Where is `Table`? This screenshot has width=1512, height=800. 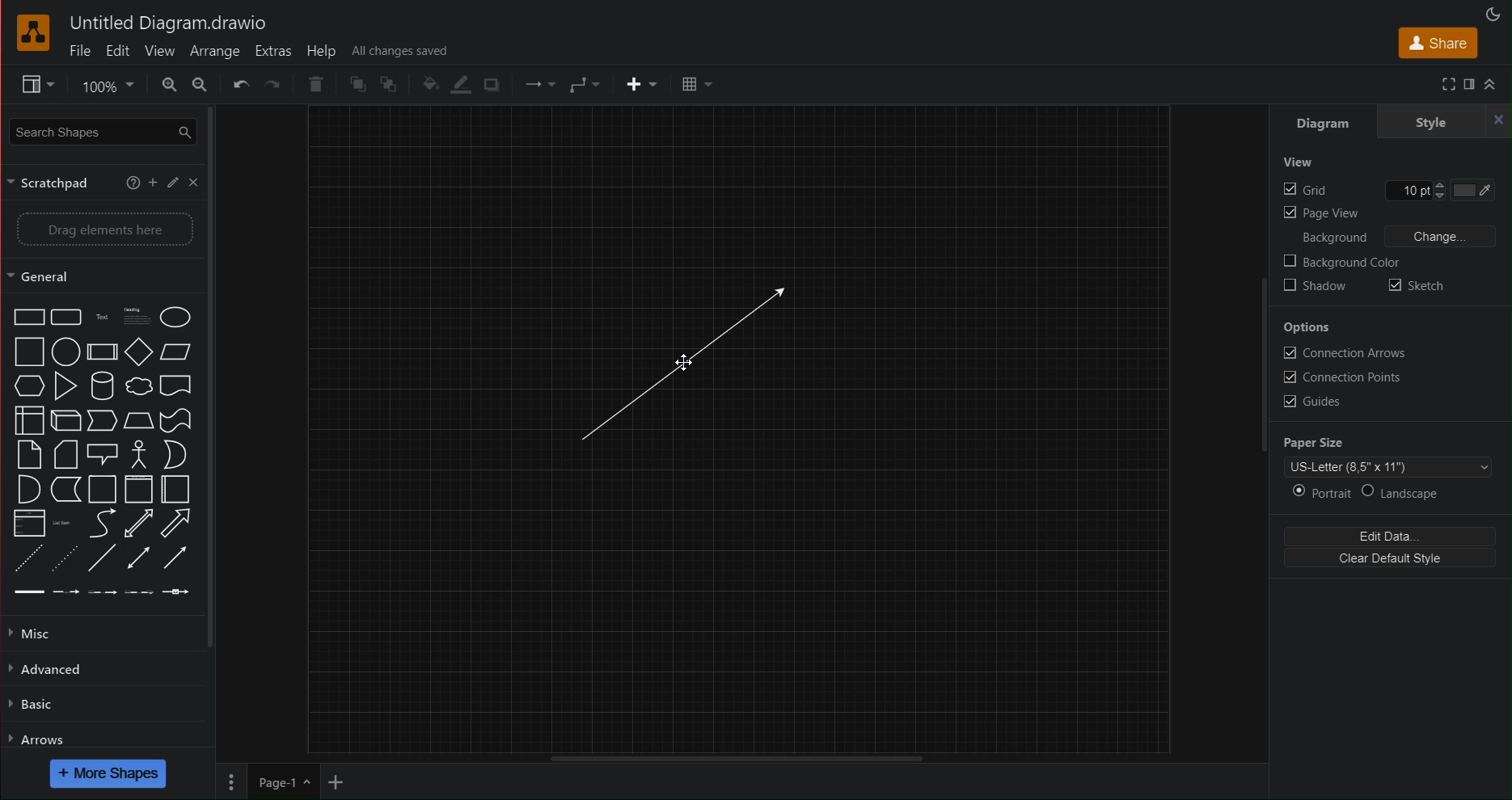
Table is located at coordinates (695, 85).